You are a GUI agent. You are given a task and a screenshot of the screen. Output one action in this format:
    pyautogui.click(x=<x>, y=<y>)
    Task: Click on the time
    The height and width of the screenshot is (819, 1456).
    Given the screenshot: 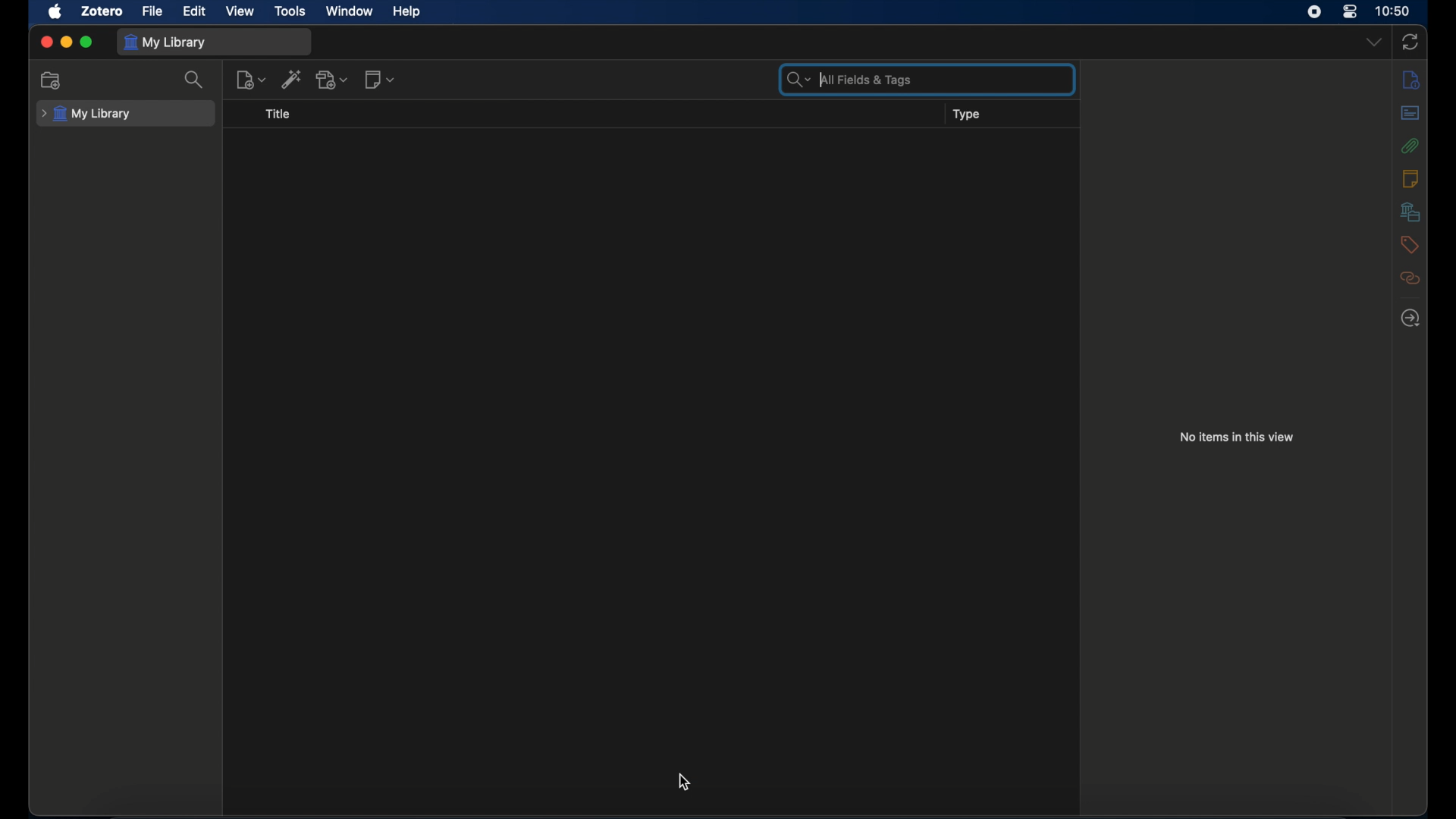 What is the action you would take?
    pyautogui.click(x=1393, y=11)
    